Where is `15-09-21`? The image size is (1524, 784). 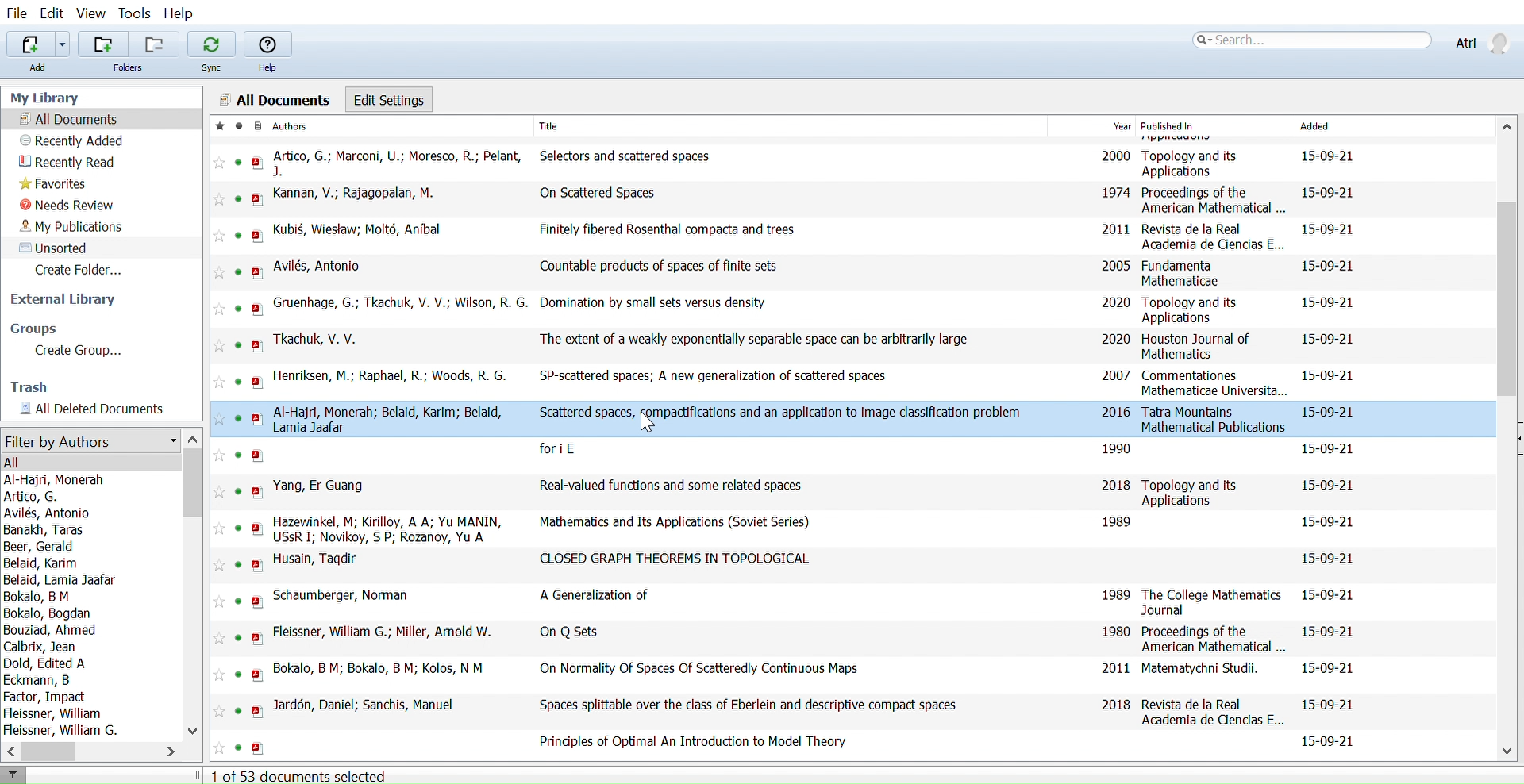 15-09-21 is located at coordinates (1332, 595).